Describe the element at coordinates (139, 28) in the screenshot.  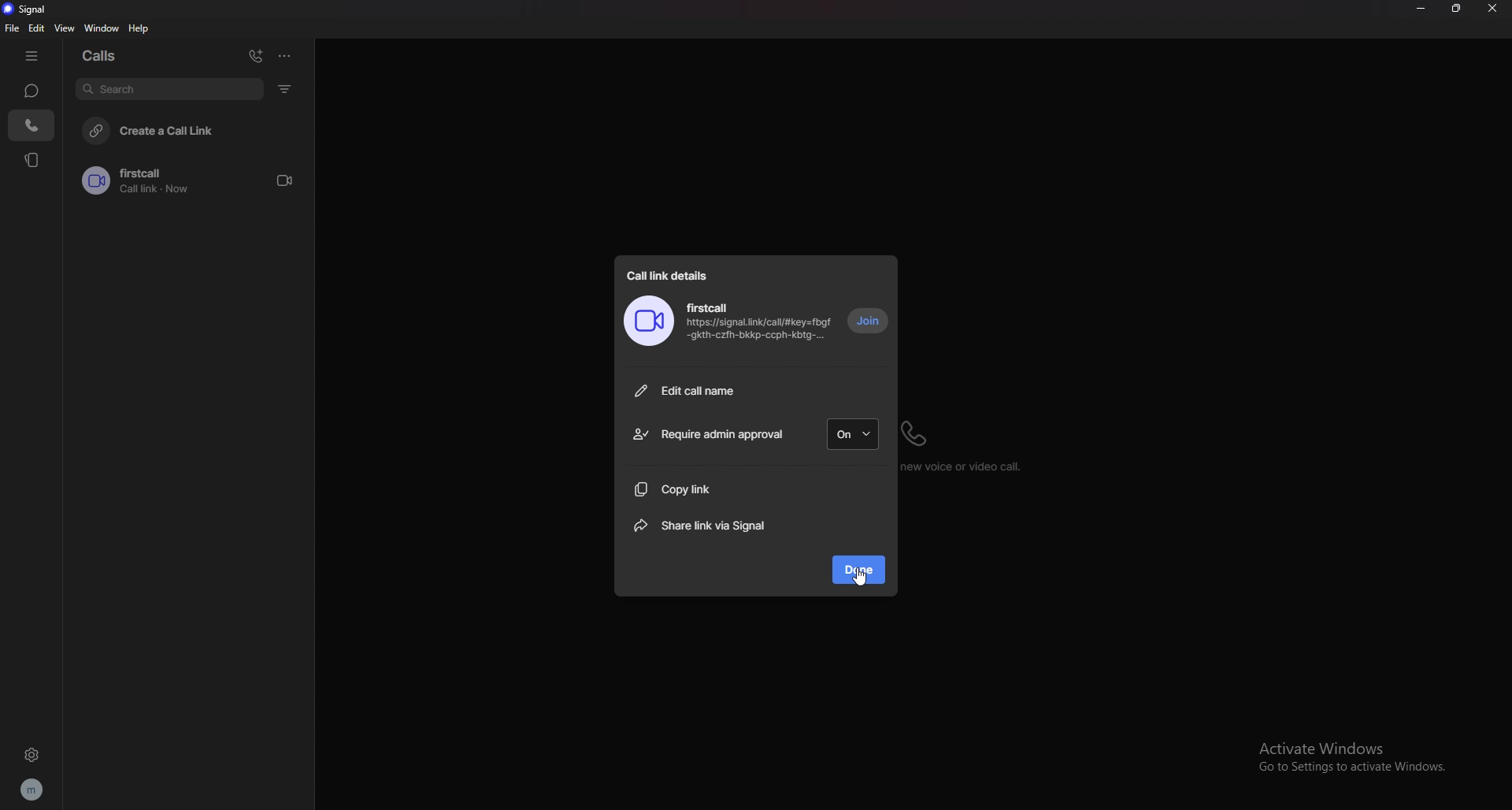
I see `help` at that location.